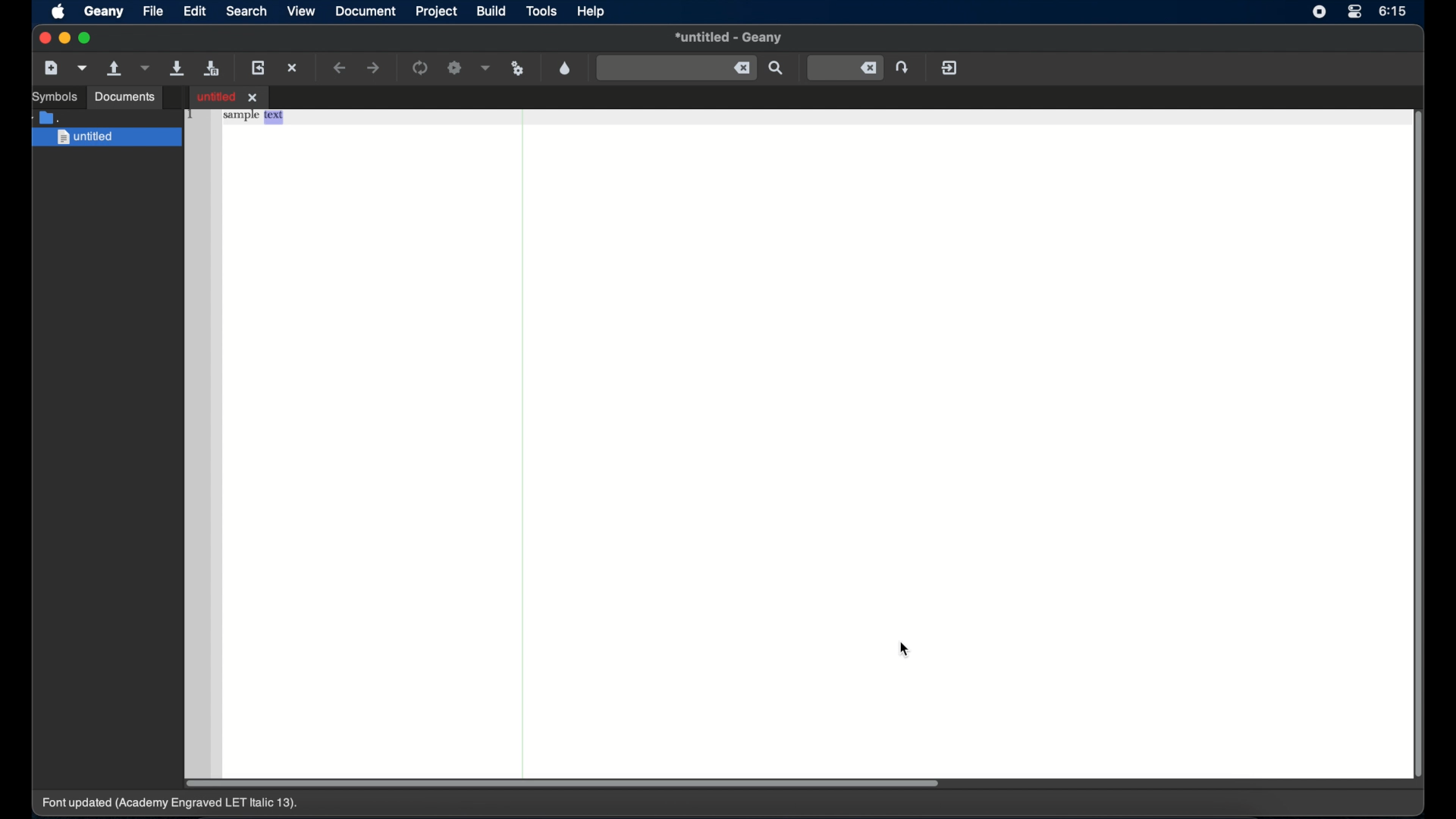 This screenshot has height=819, width=1456. Describe the element at coordinates (229, 96) in the screenshot. I see `untitled file` at that location.